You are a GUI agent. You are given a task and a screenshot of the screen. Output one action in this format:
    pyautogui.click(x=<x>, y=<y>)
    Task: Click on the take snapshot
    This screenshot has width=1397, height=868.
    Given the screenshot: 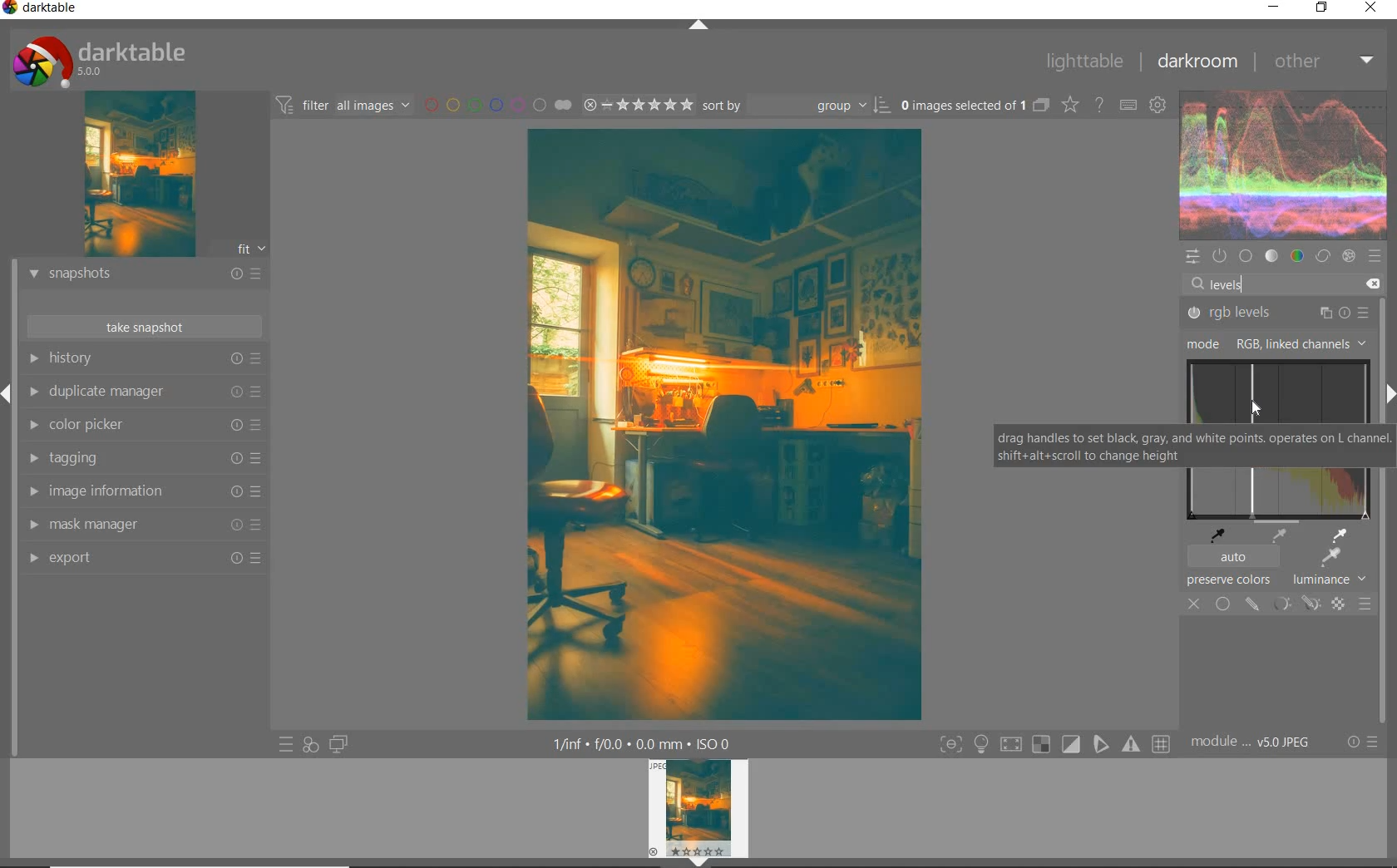 What is the action you would take?
    pyautogui.click(x=146, y=326)
    